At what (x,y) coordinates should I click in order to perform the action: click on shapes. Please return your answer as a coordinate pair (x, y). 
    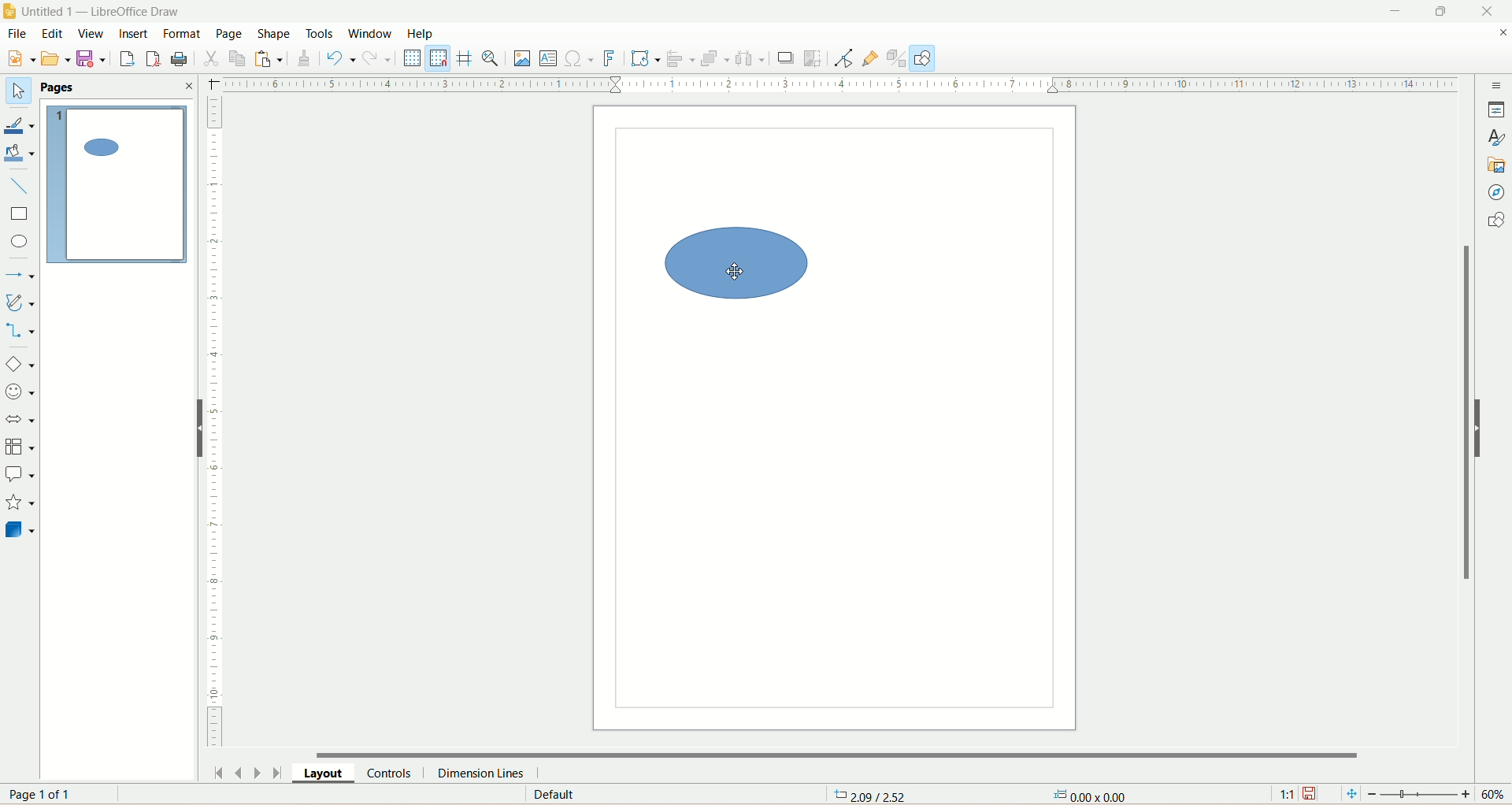
    Looking at the image, I should click on (1494, 220).